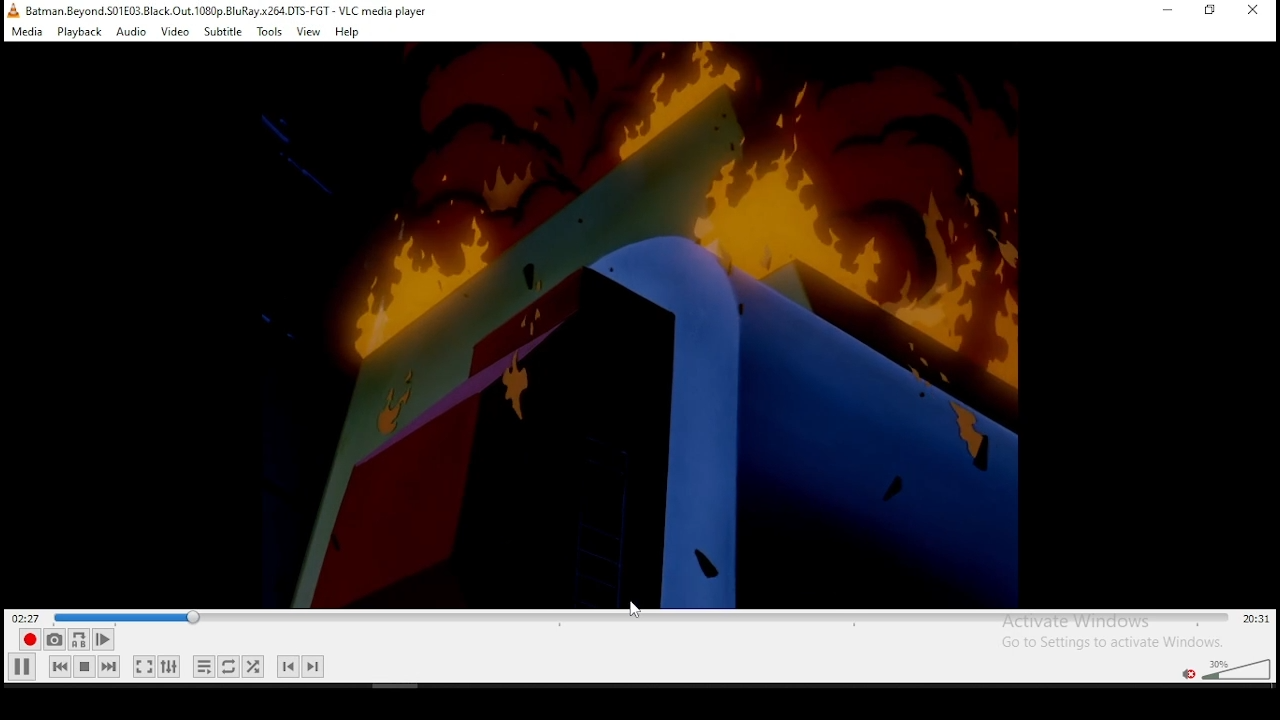 The width and height of the screenshot is (1280, 720). Describe the element at coordinates (204, 668) in the screenshot. I see `toggle playlist` at that location.